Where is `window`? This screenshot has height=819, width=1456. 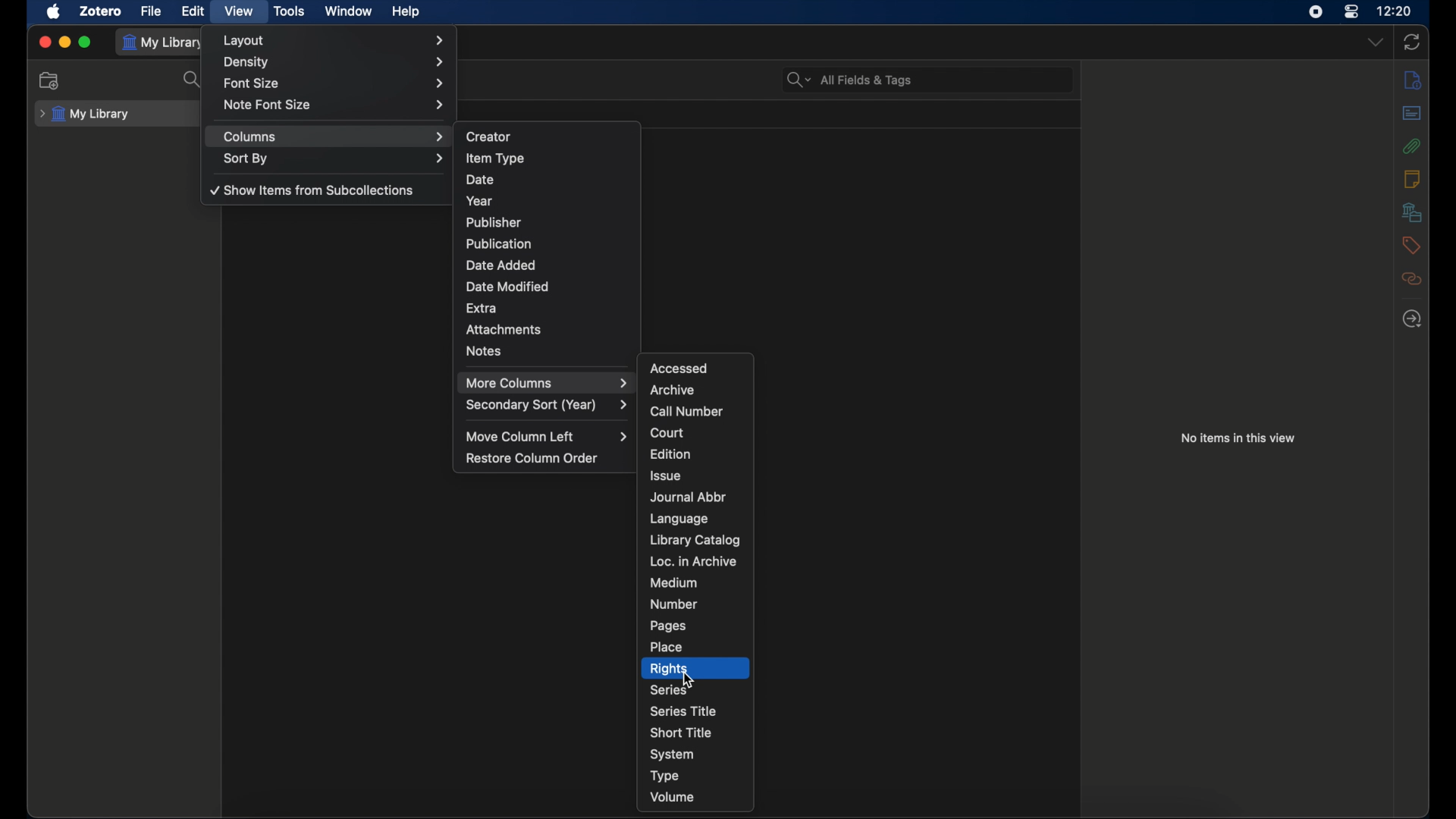
window is located at coordinates (347, 11).